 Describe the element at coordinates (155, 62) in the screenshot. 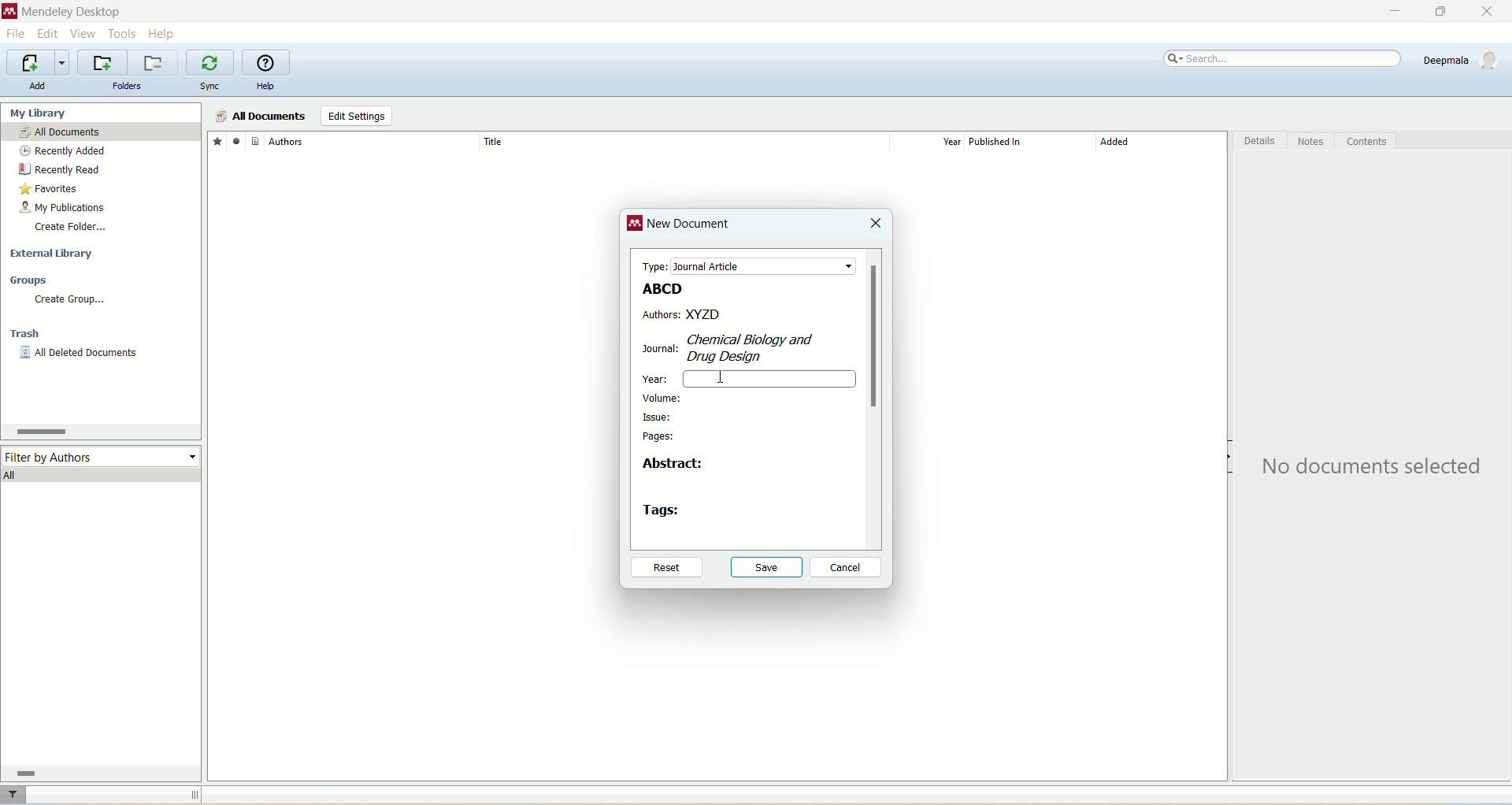

I see `remove current folder` at that location.